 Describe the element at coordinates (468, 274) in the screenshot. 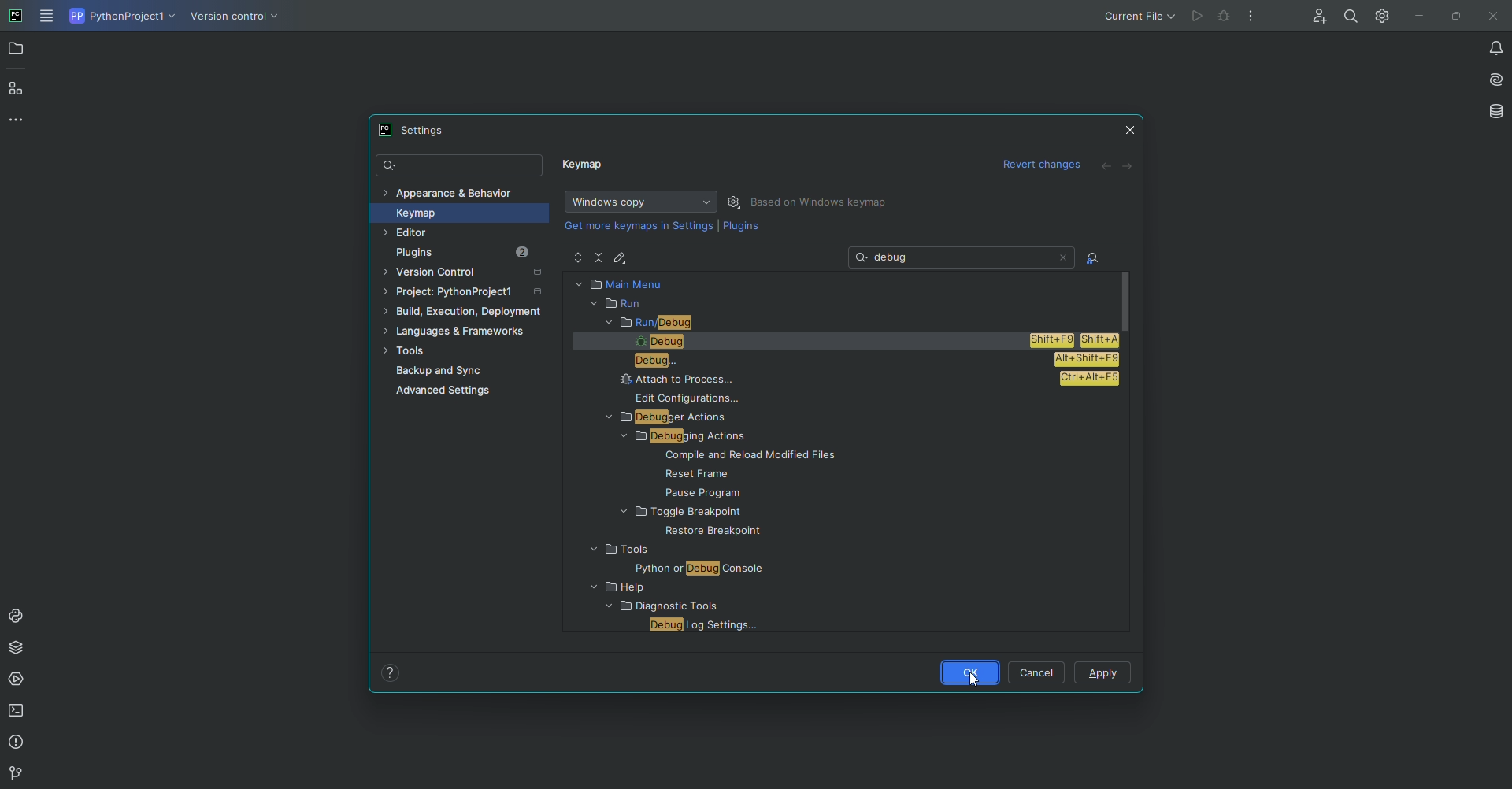

I see `Version Control` at that location.